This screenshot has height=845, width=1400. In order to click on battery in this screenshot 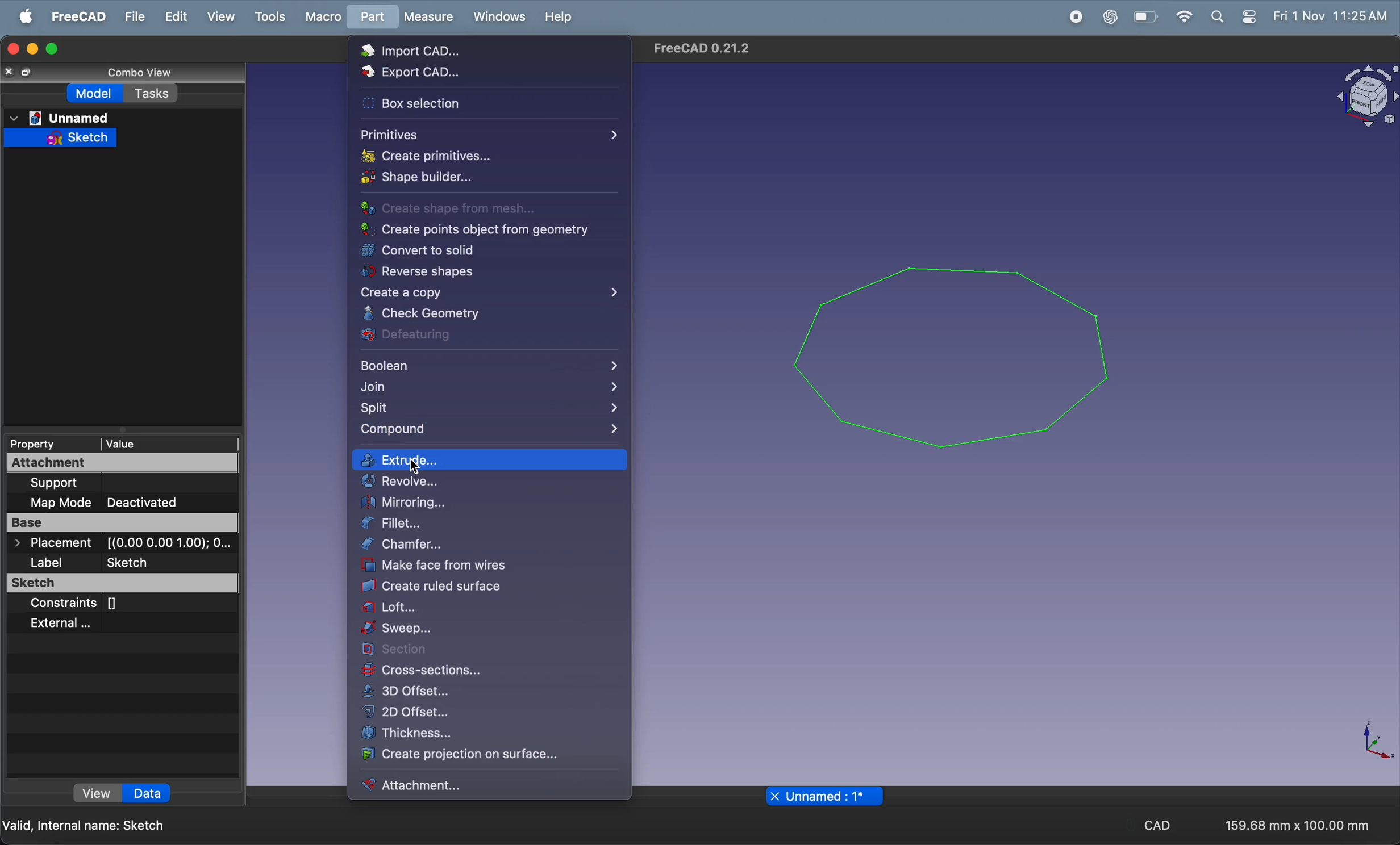, I will do `click(1145, 16)`.